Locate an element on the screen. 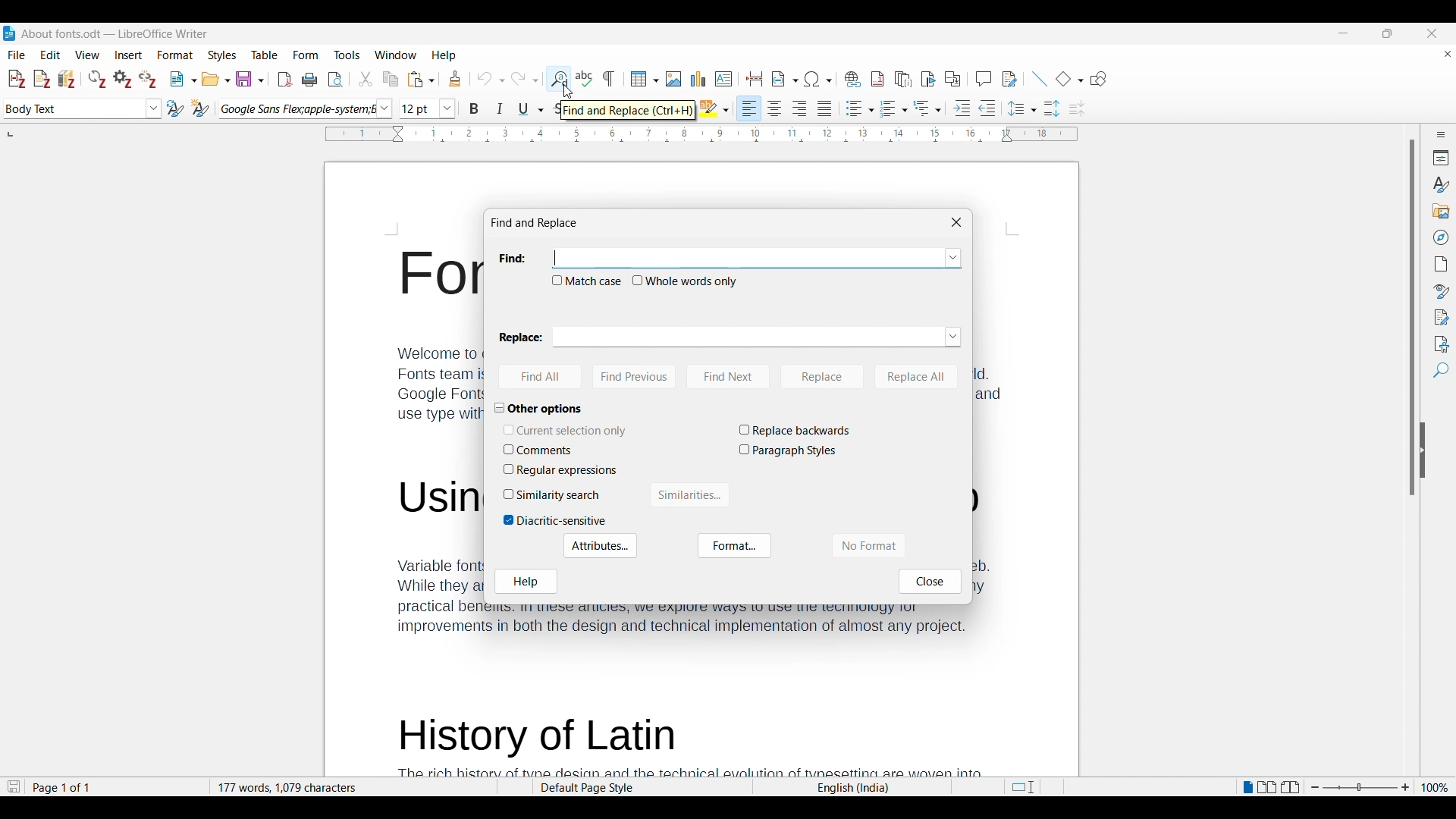  Clone formatting of selected text is located at coordinates (455, 79).